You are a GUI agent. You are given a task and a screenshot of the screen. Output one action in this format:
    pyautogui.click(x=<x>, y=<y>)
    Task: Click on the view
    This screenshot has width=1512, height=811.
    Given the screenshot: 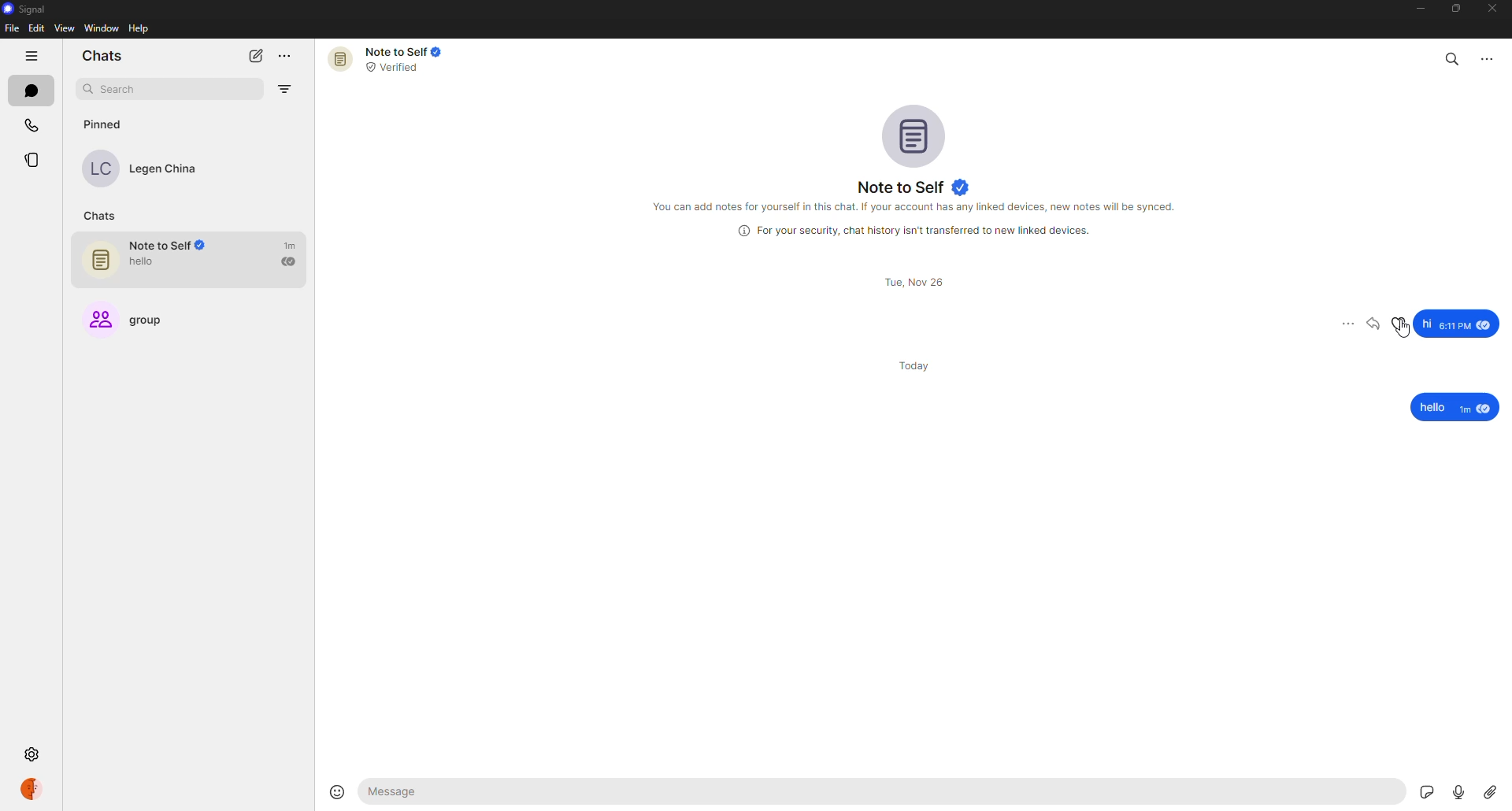 What is the action you would take?
    pyautogui.click(x=64, y=28)
    